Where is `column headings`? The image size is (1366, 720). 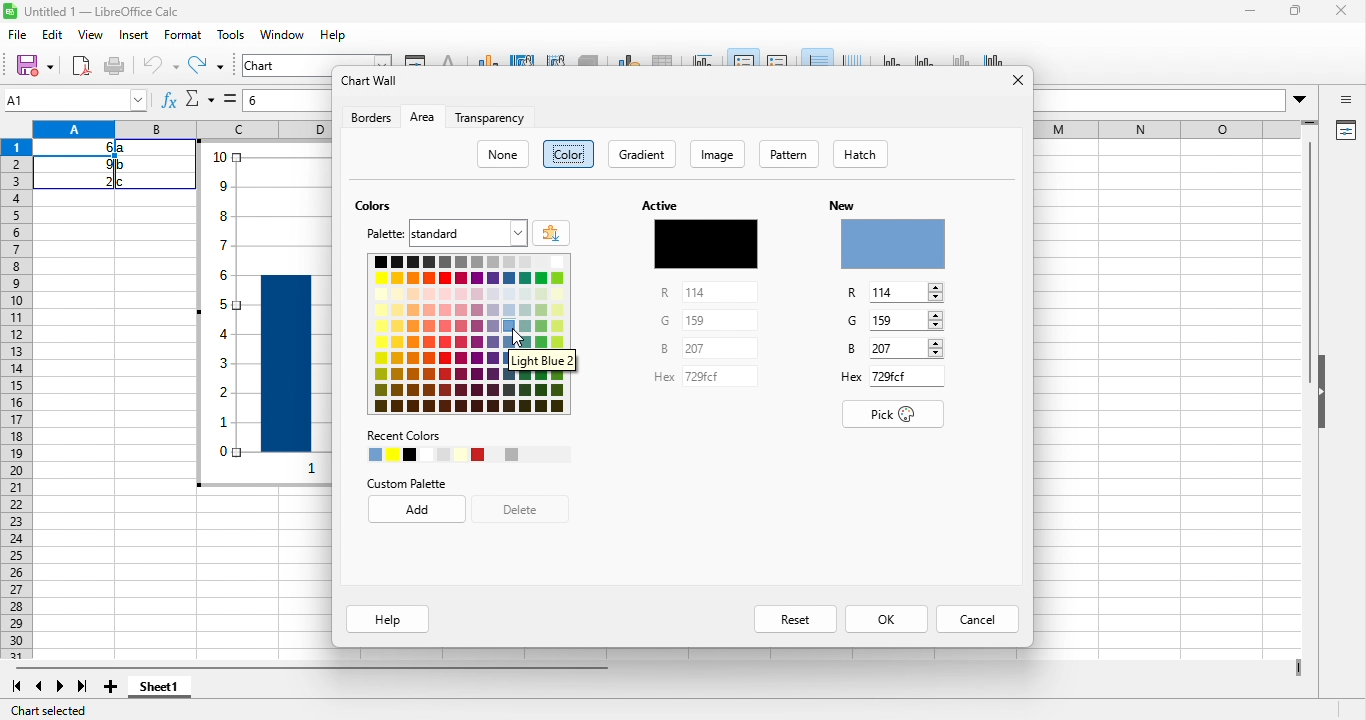
column headings is located at coordinates (181, 129).